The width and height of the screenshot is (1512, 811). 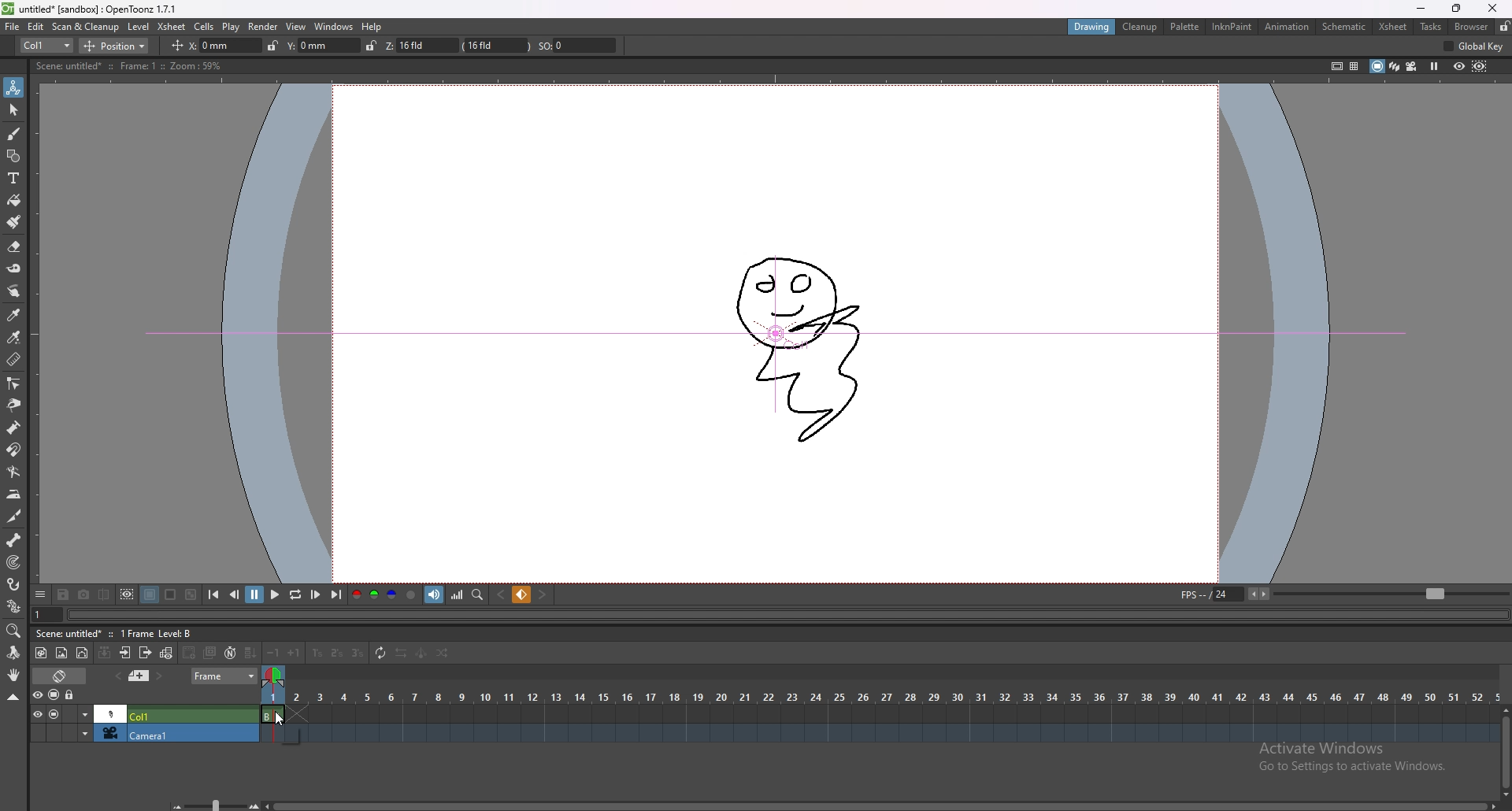 What do you see at coordinates (801, 342) in the screenshot?
I see `drawing` at bounding box center [801, 342].